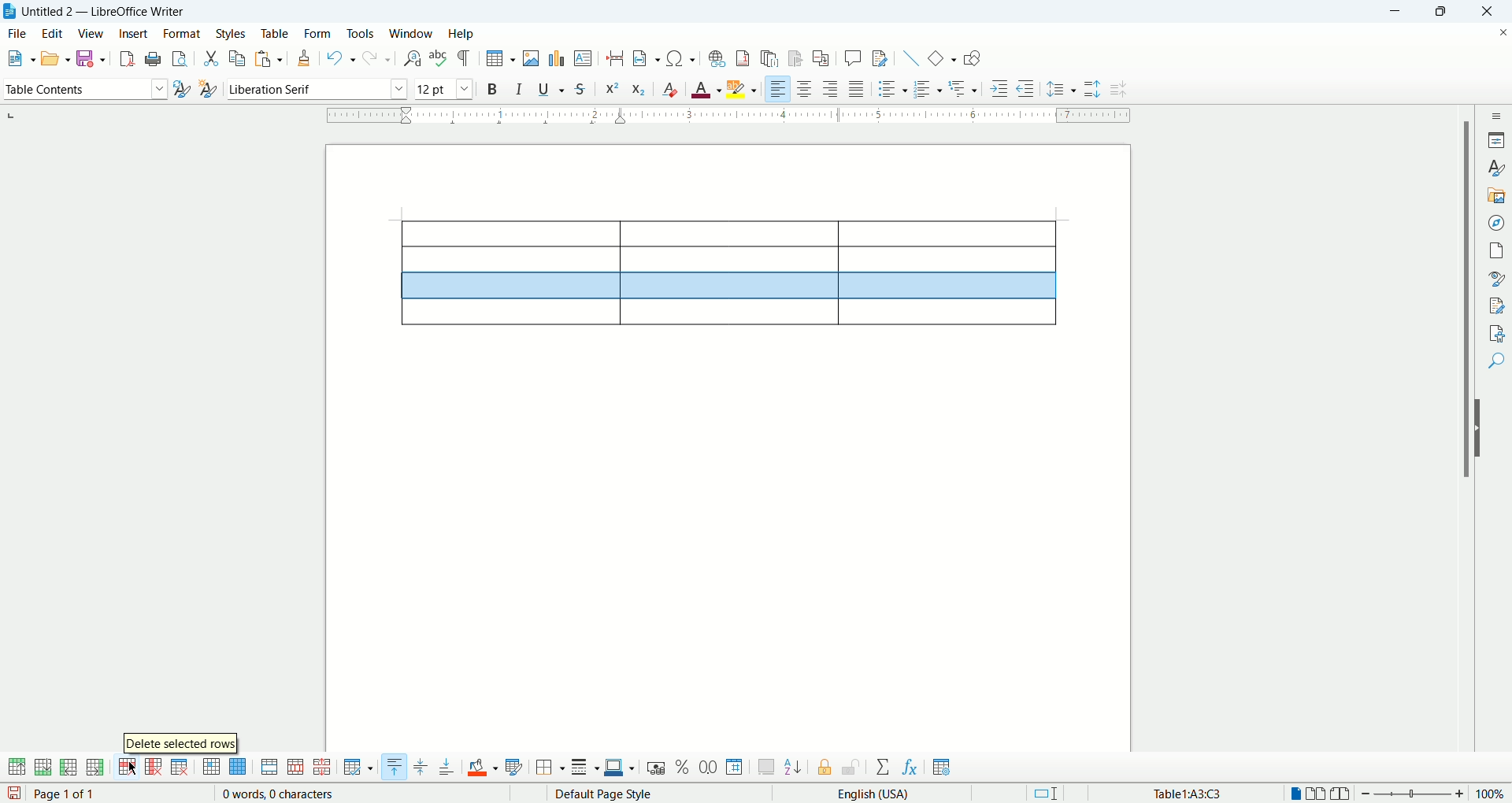 This screenshot has width=1512, height=803. I want to click on insert, so click(133, 35).